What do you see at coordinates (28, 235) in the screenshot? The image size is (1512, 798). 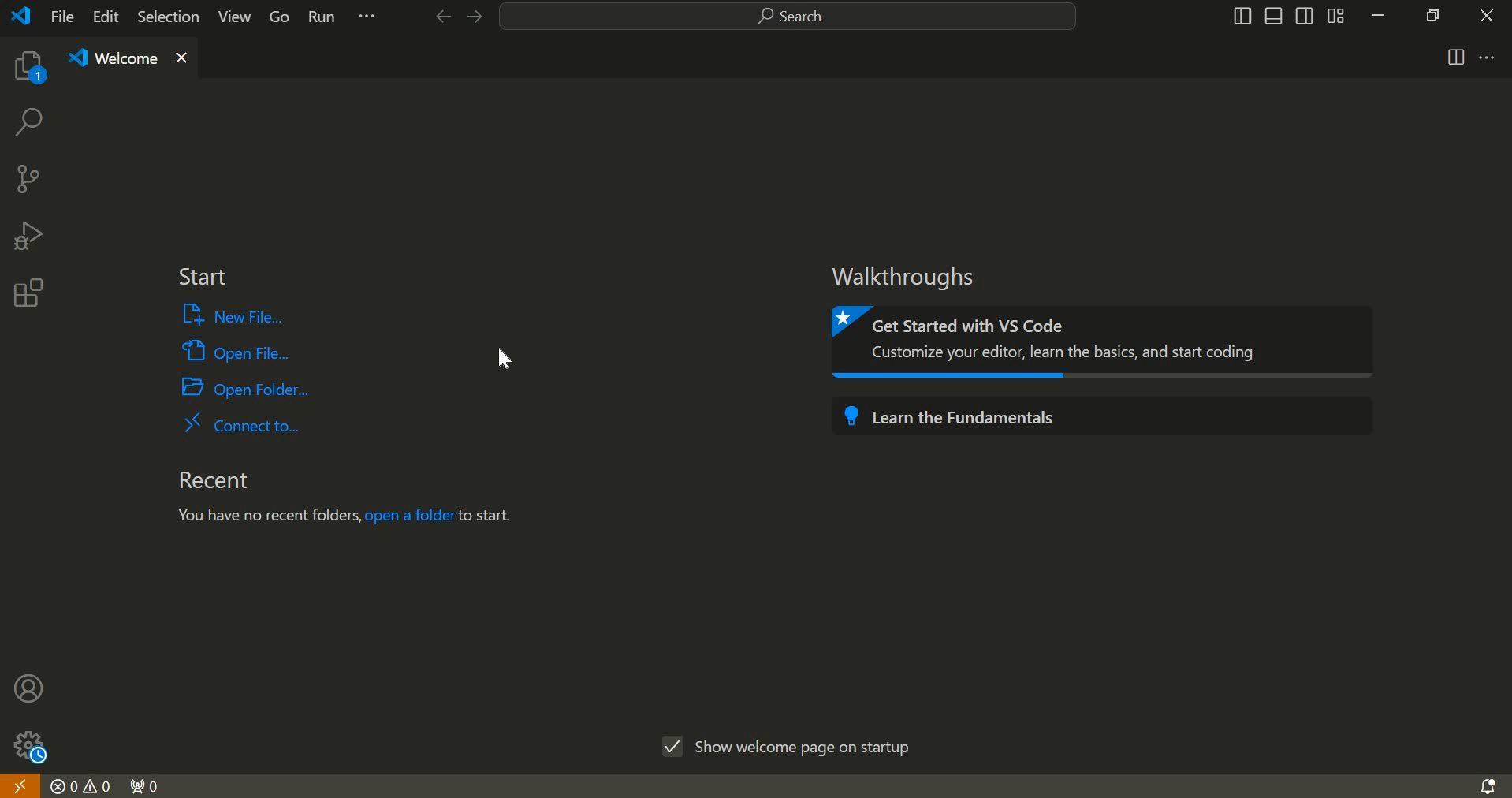 I see `run and debug` at bounding box center [28, 235].